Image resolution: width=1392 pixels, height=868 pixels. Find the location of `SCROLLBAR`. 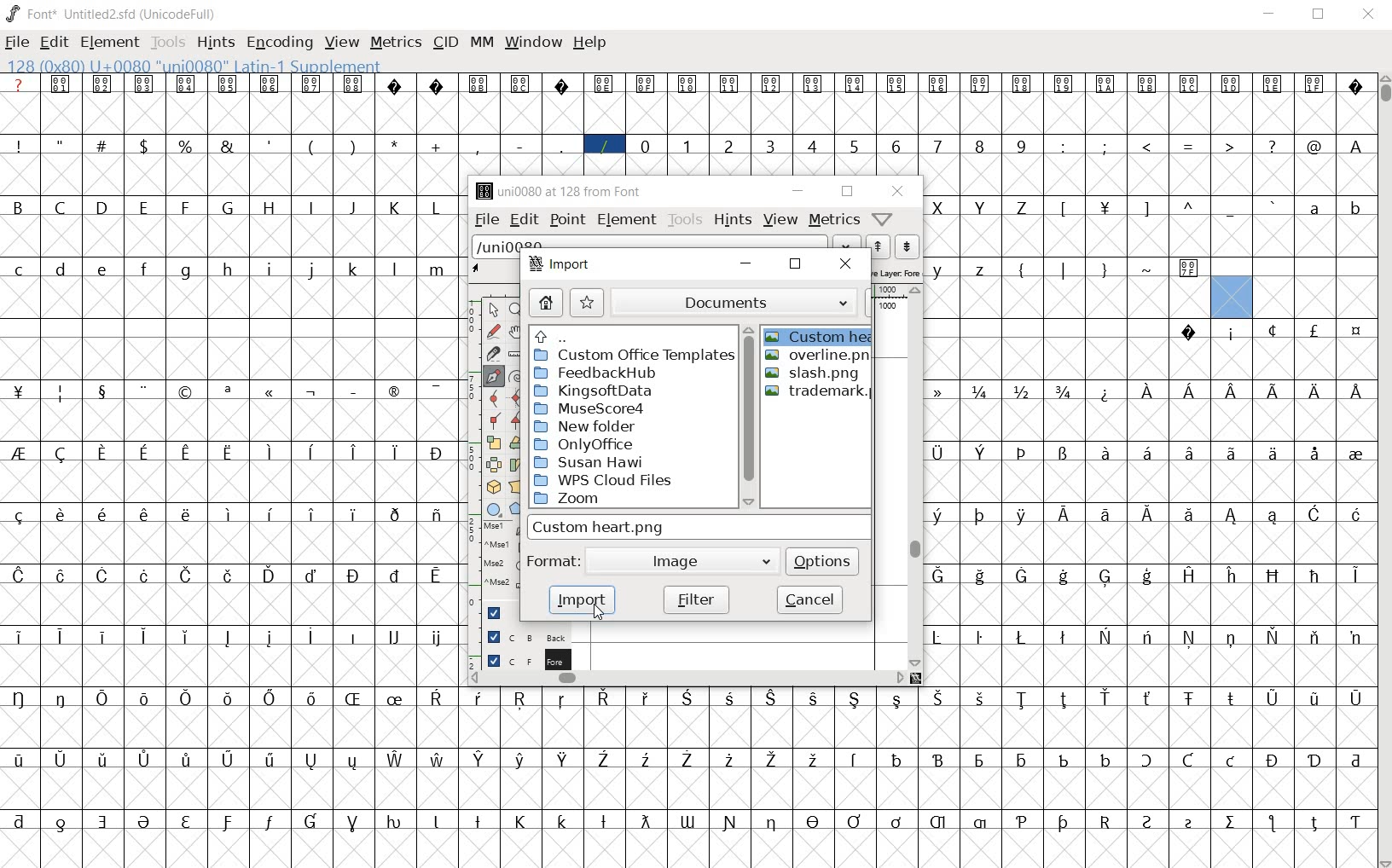

SCROLLBAR is located at coordinates (1383, 472).